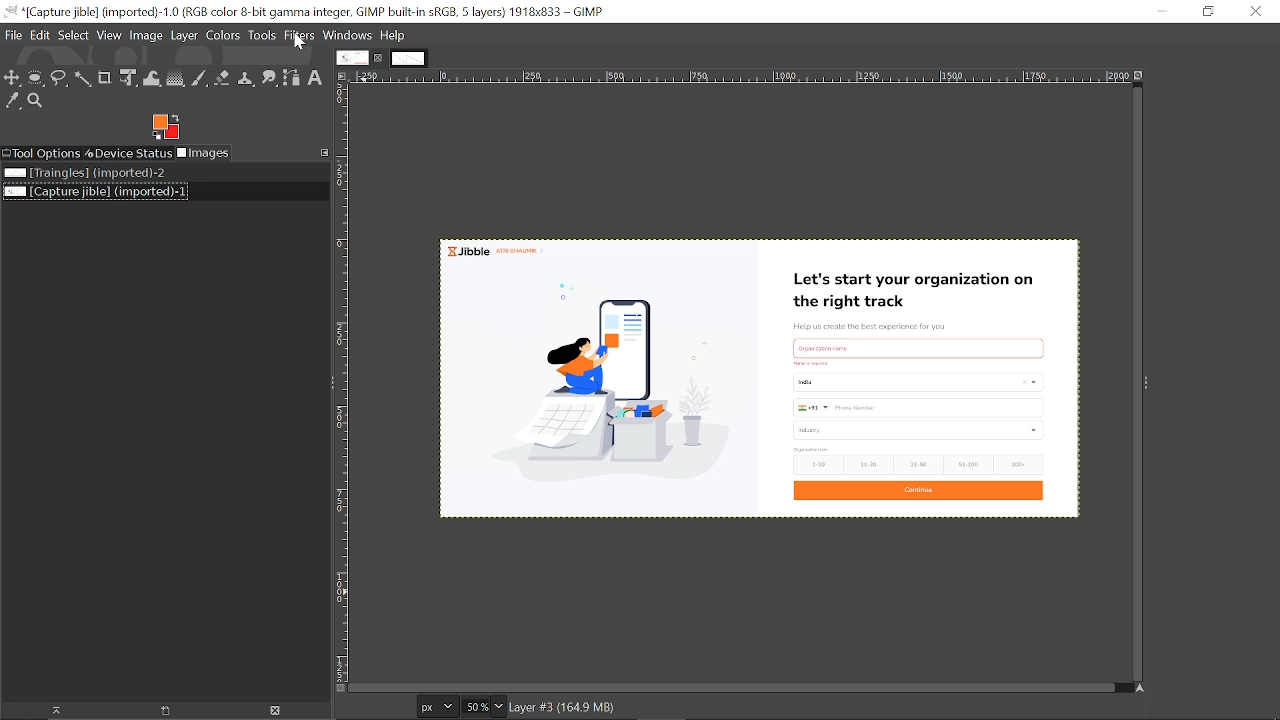 This screenshot has width=1280, height=720. What do you see at coordinates (201, 79) in the screenshot?
I see `Paintbrush tool` at bounding box center [201, 79].